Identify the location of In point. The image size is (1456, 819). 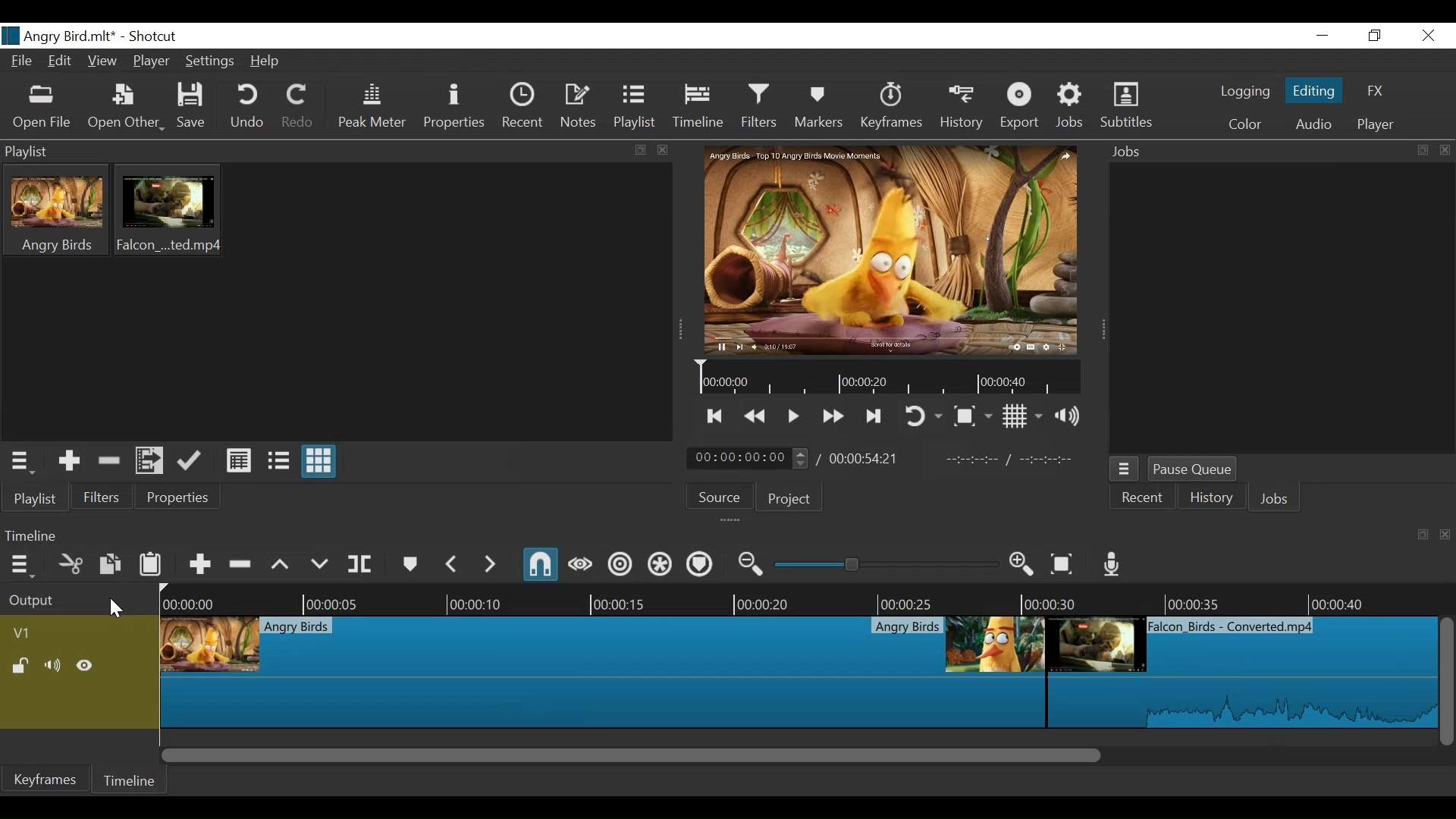
(1016, 461).